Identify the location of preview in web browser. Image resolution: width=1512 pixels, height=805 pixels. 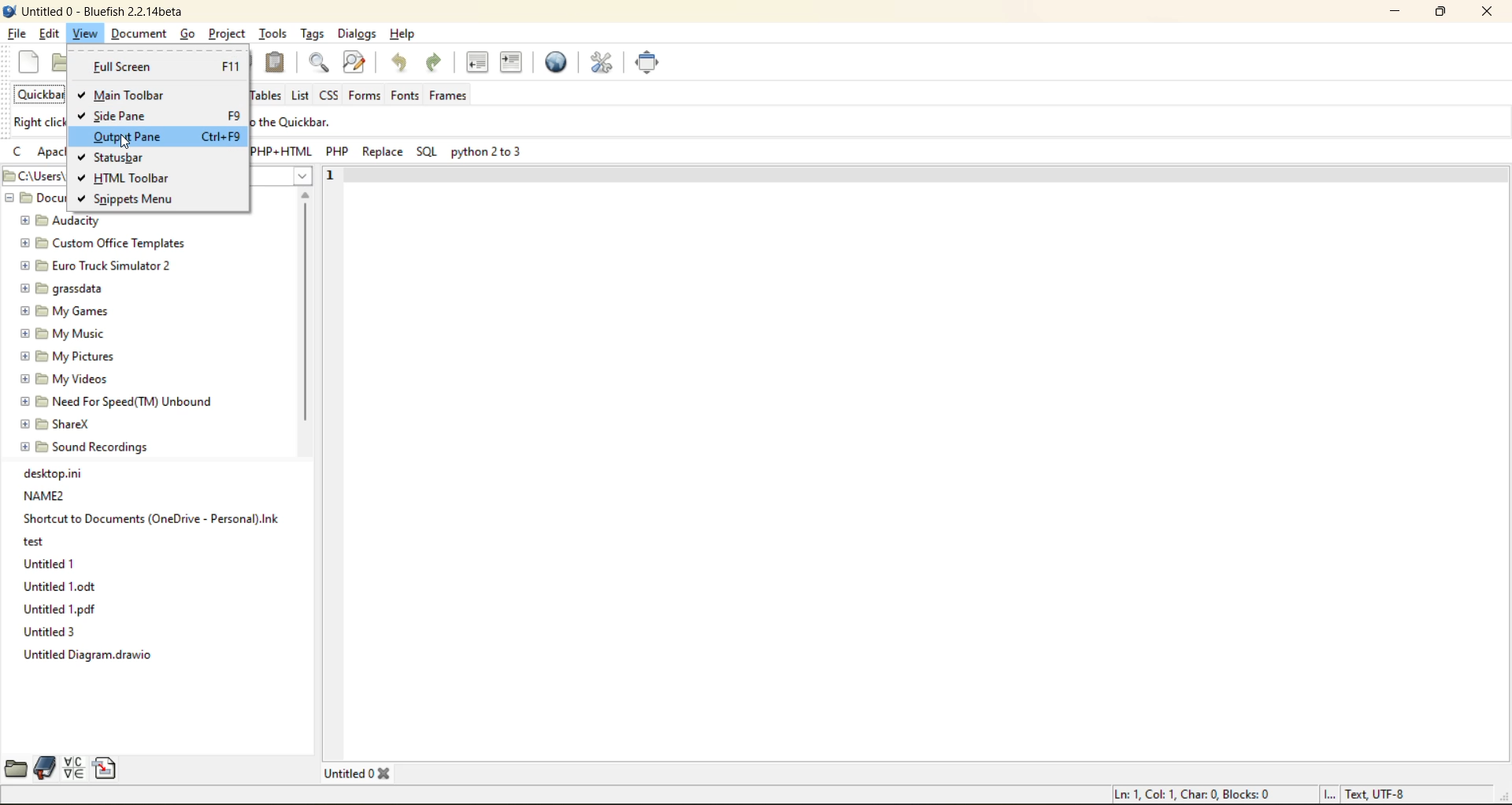
(558, 63).